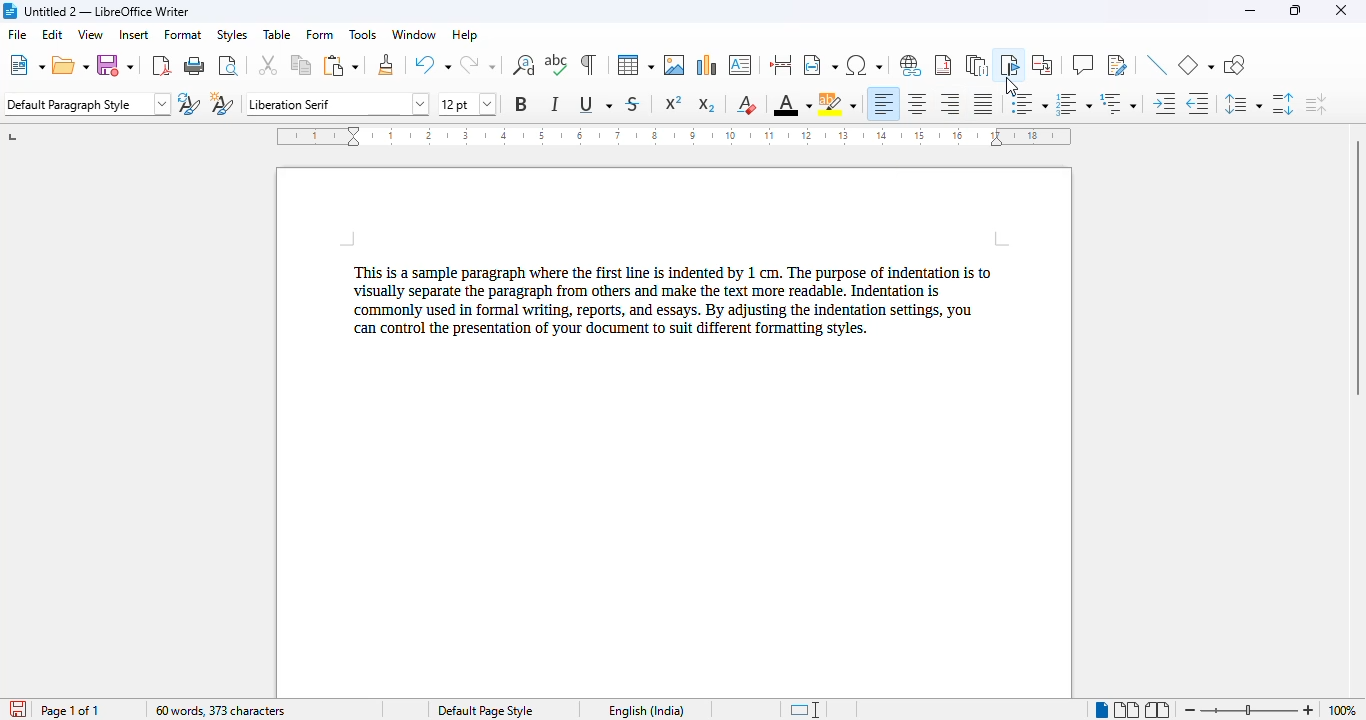 The image size is (1366, 720). What do you see at coordinates (1309, 711) in the screenshot?
I see `zoom in` at bounding box center [1309, 711].